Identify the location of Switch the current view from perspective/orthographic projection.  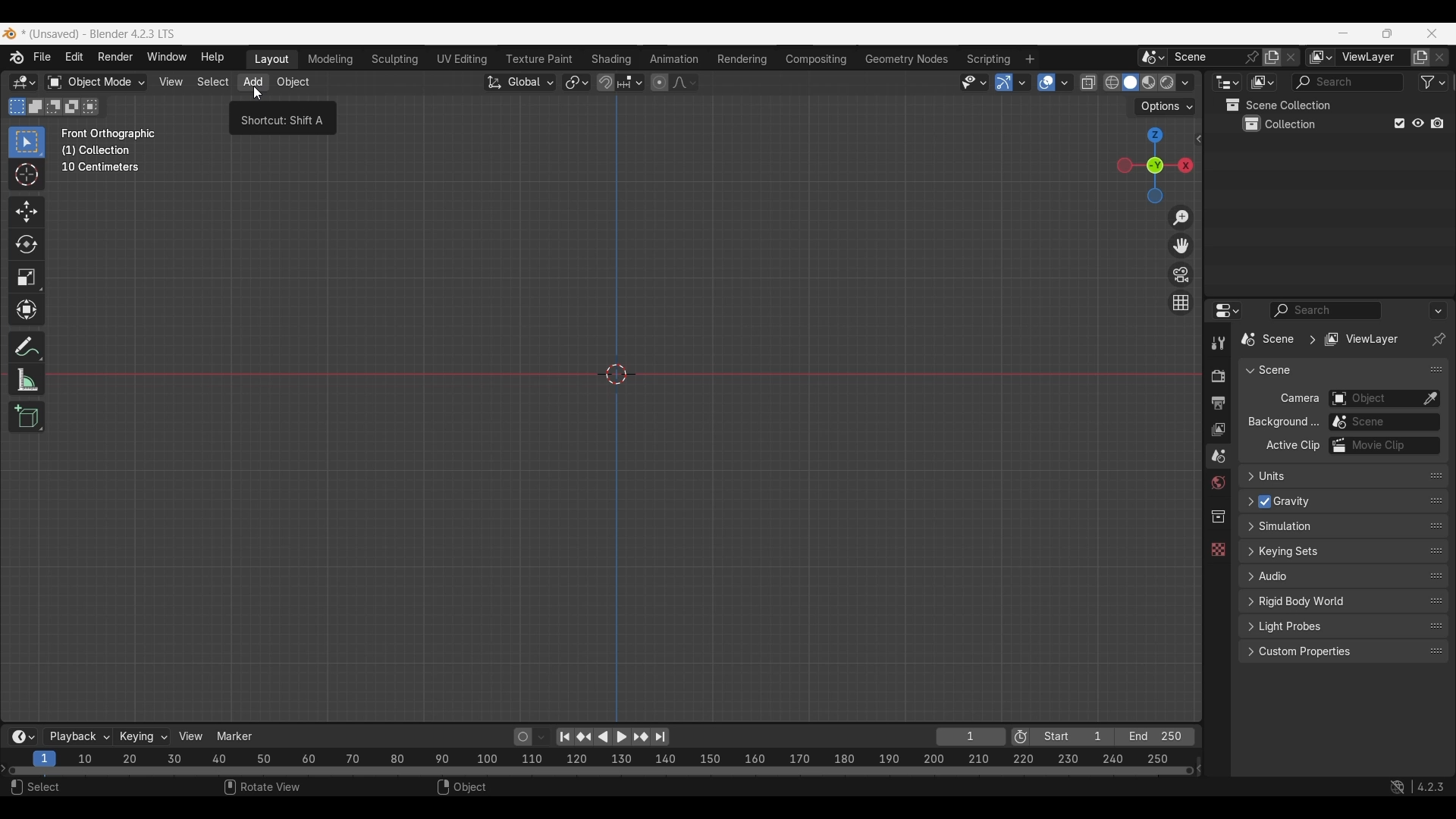
(1180, 302).